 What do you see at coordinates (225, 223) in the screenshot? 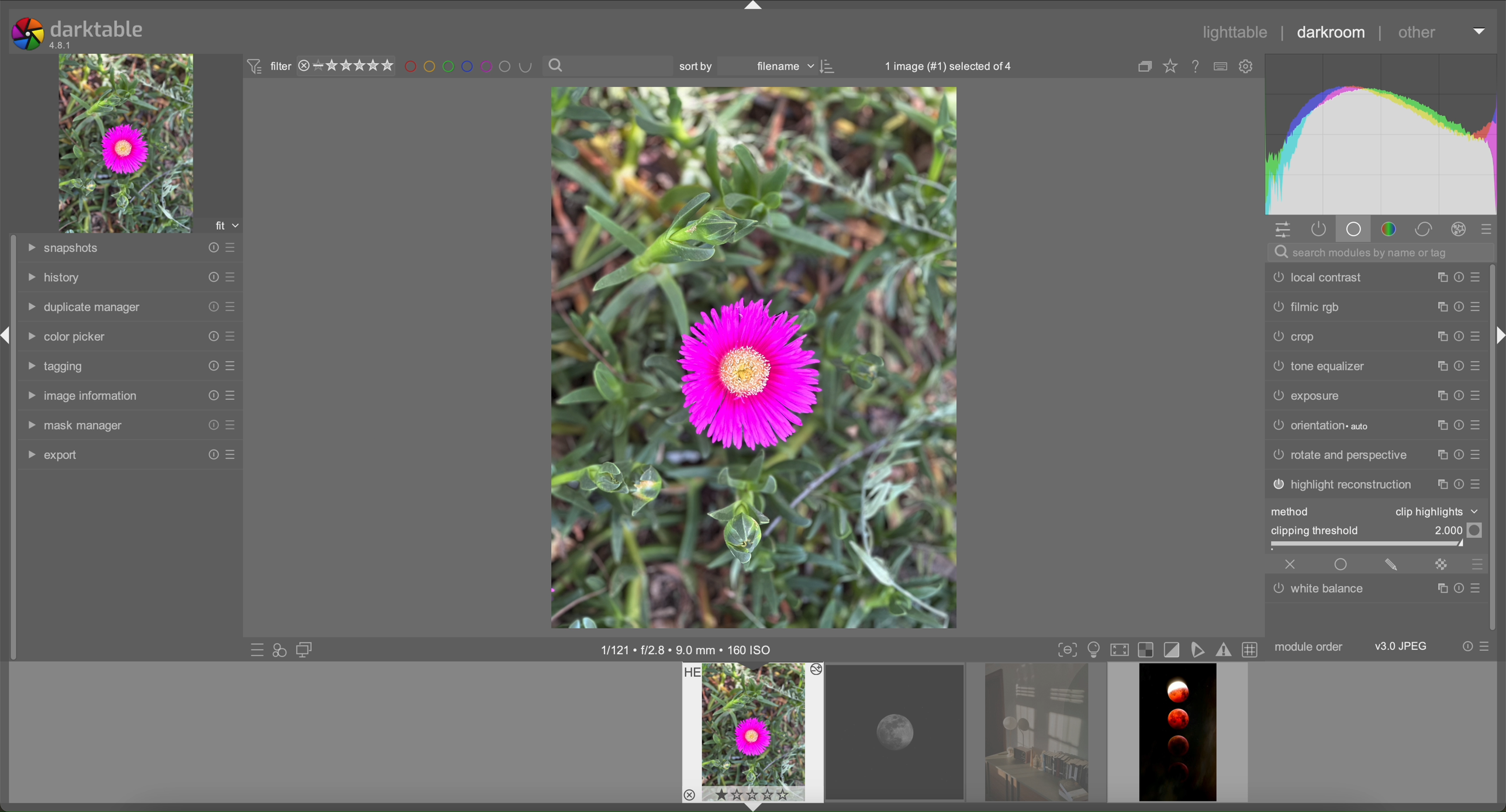
I see `fit` at bounding box center [225, 223].